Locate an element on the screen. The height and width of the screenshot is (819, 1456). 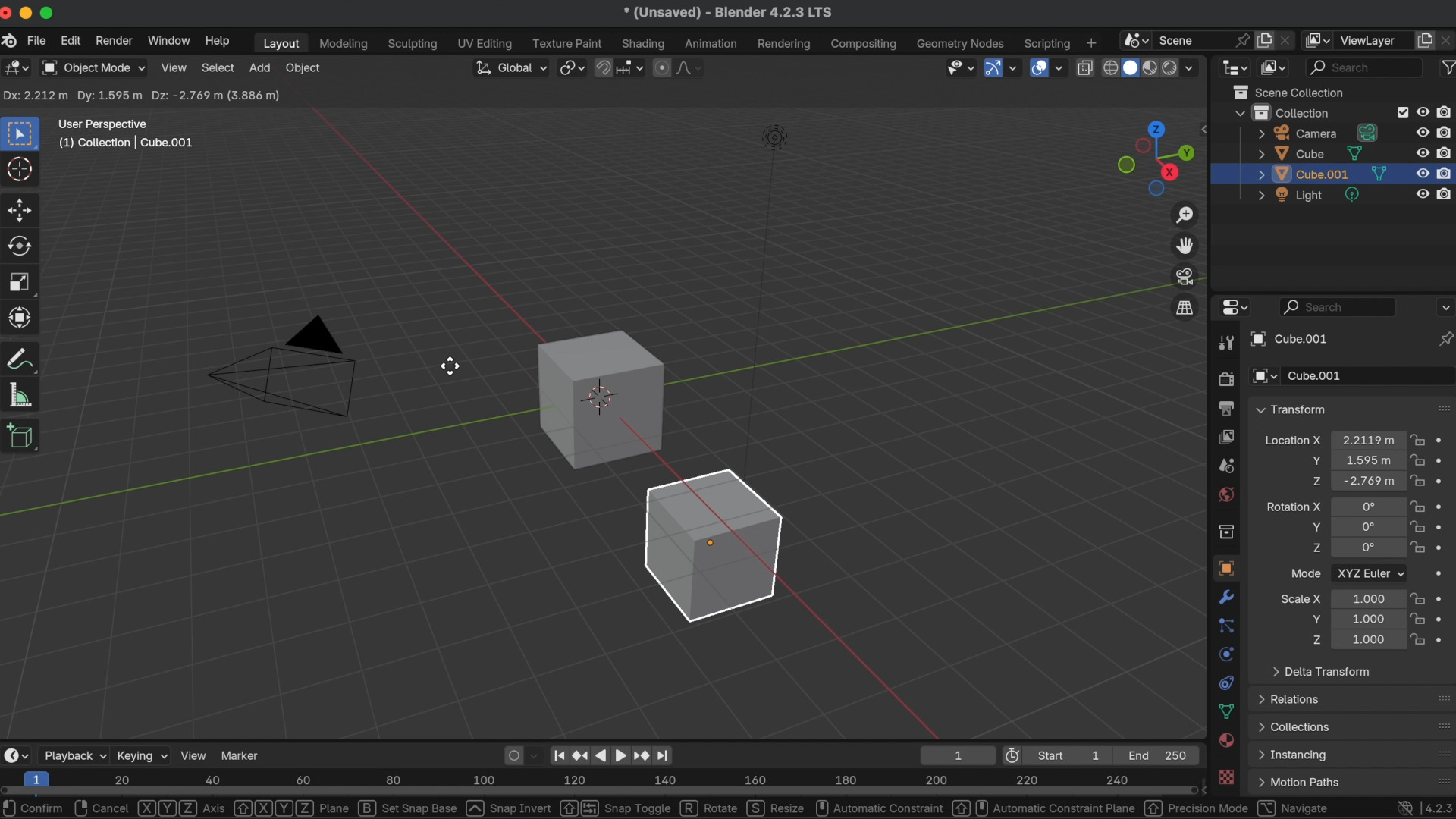
Start 1 is located at coordinates (1075, 755).